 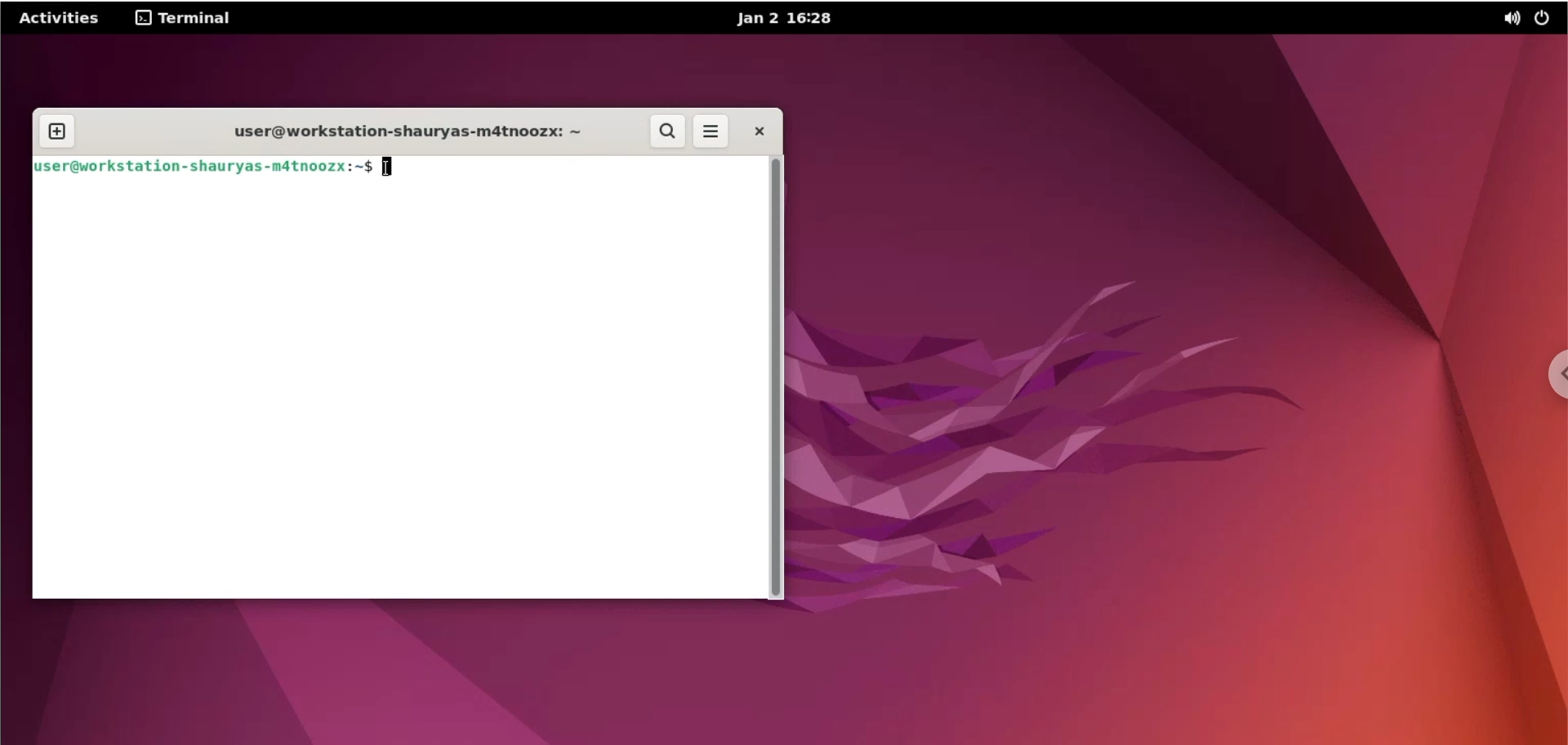 What do you see at coordinates (758, 132) in the screenshot?
I see `close` at bounding box center [758, 132].